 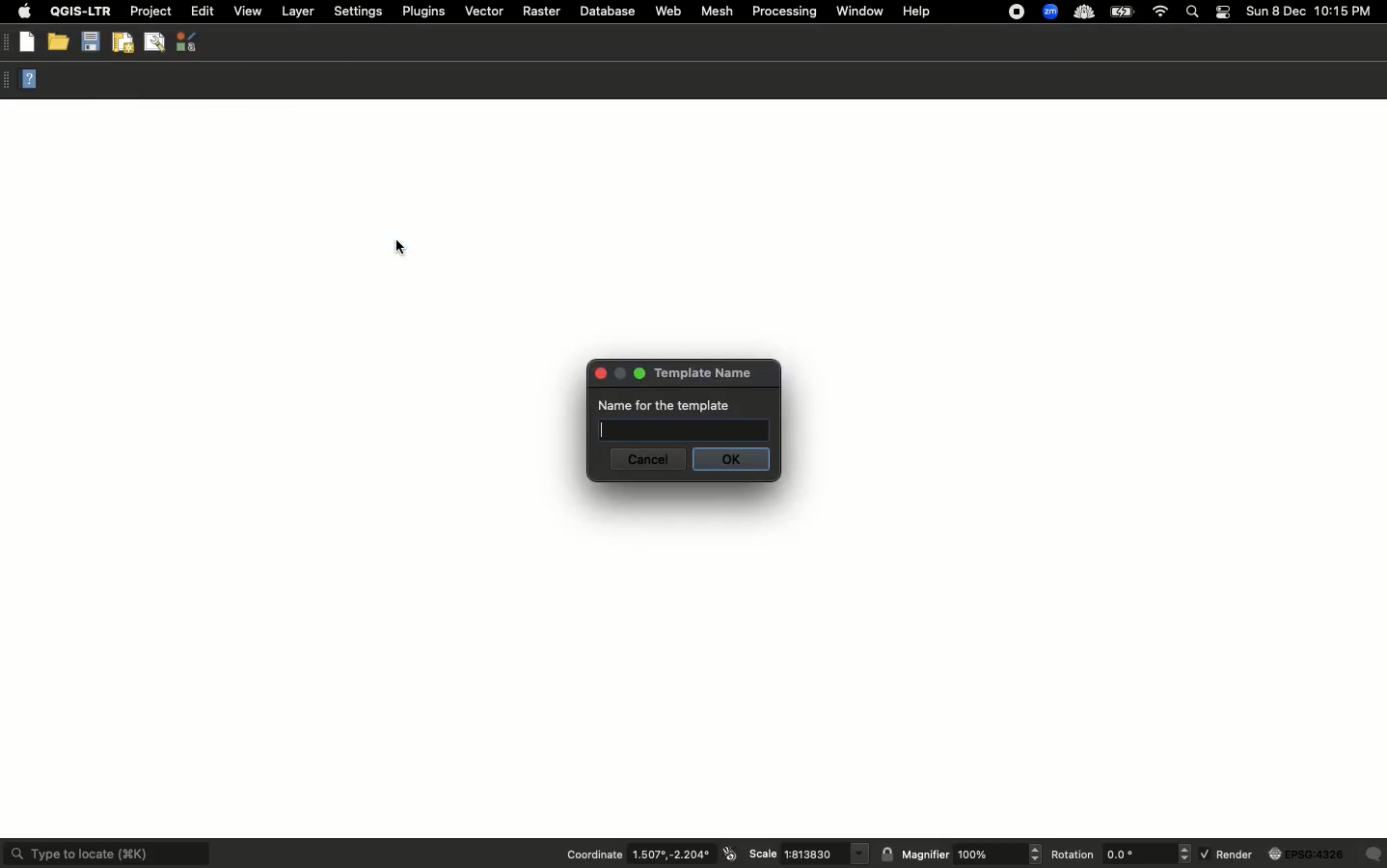 What do you see at coordinates (610, 10) in the screenshot?
I see `Database` at bounding box center [610, 10].